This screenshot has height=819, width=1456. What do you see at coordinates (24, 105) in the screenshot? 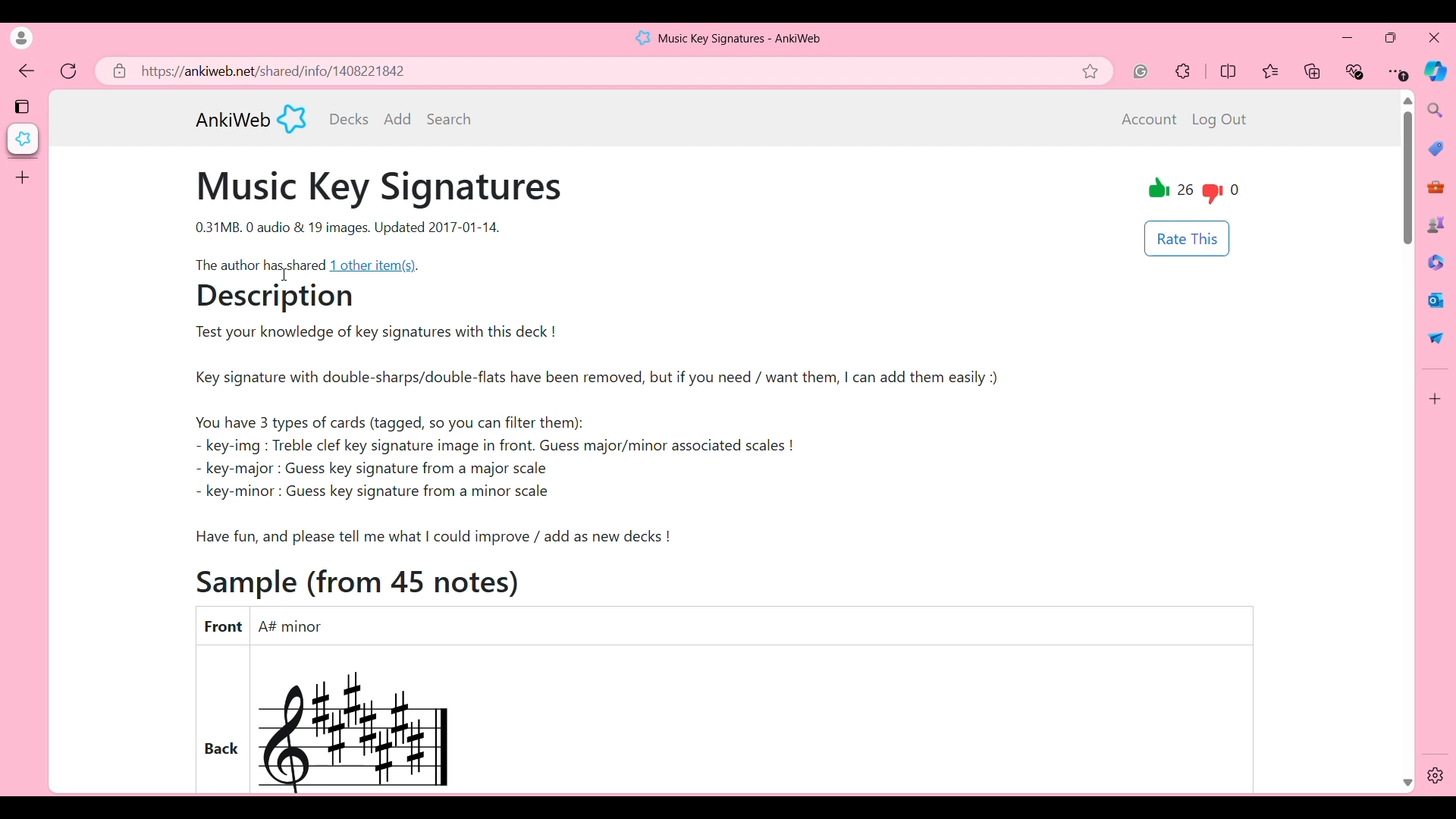
I see `Tab actions menu` at bounding box center [24, 105].